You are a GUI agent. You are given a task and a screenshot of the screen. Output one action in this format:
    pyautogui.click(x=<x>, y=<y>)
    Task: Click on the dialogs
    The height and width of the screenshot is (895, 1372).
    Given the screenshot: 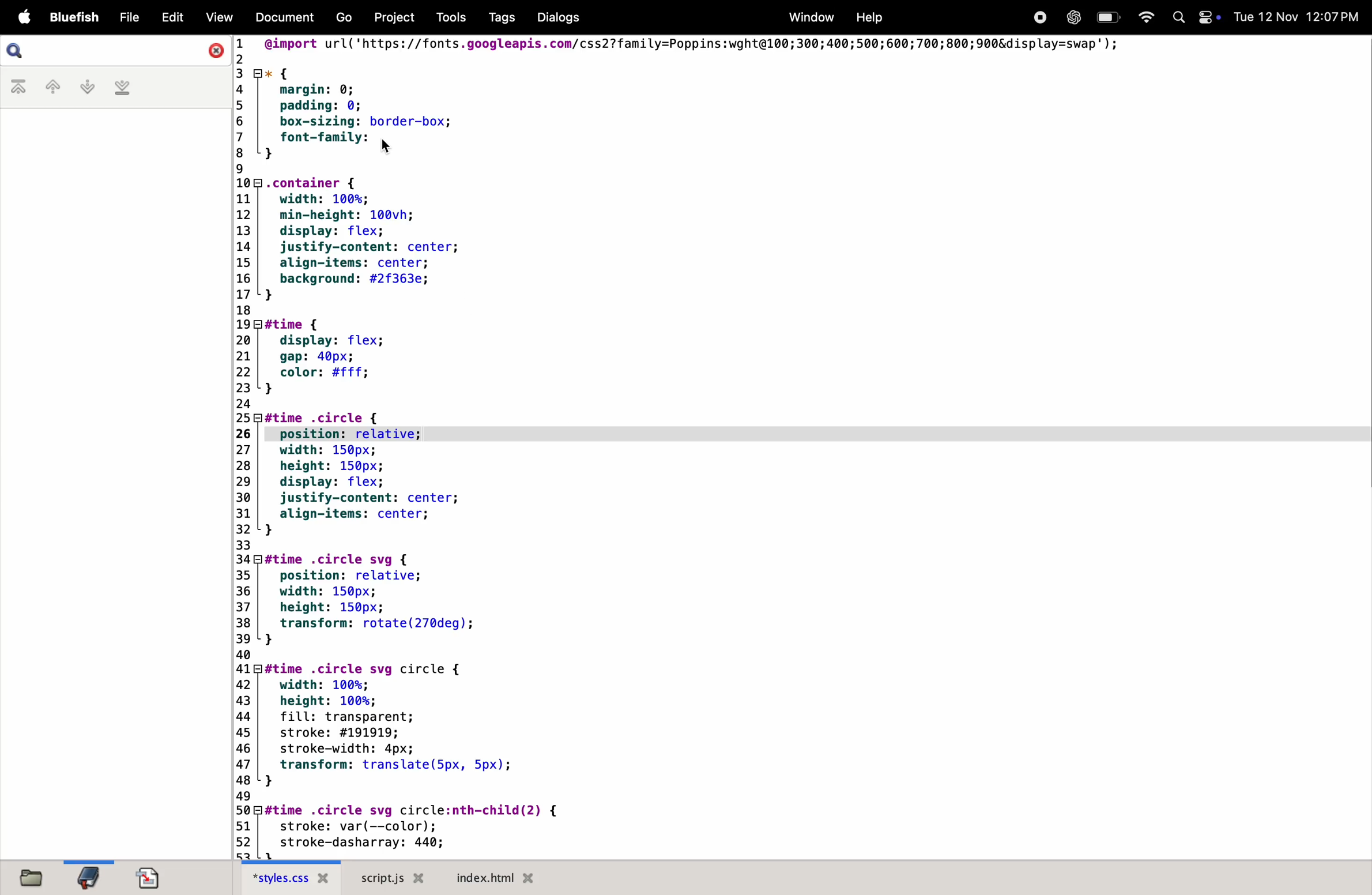 What is the action you would take?
    pyautogui.click(x=556, y=17)
    